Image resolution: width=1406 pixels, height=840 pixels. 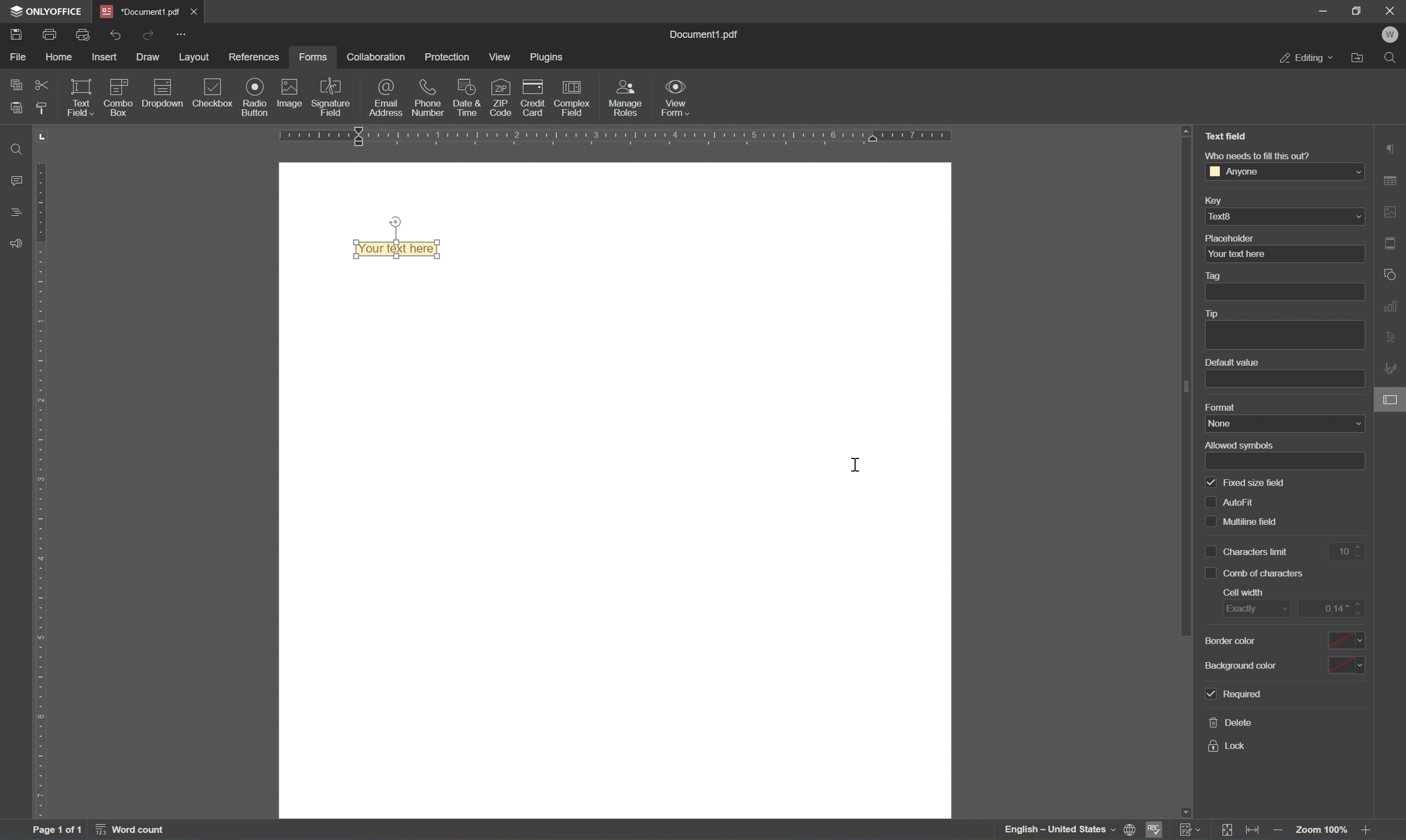 I want to click on ONLYOFFICE, so click(x=46, y=10).